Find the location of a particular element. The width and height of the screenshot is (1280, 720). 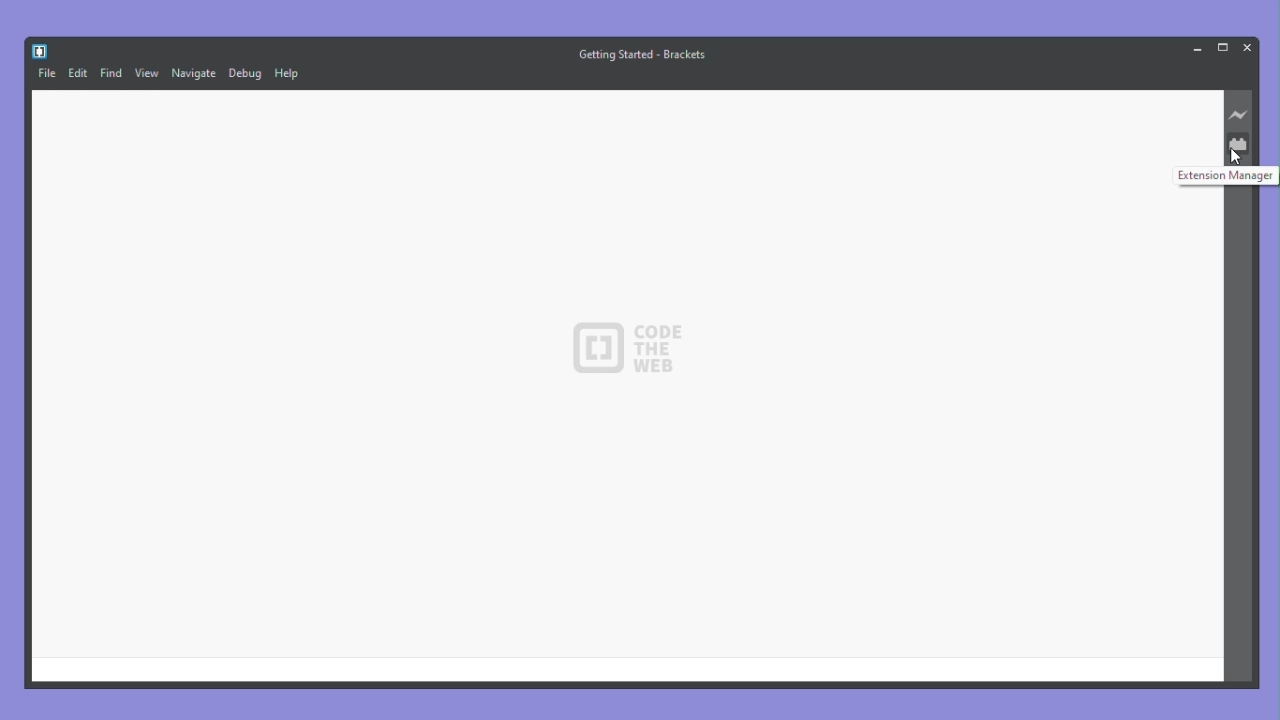

Maximize is located at coordinates (1224, 46).